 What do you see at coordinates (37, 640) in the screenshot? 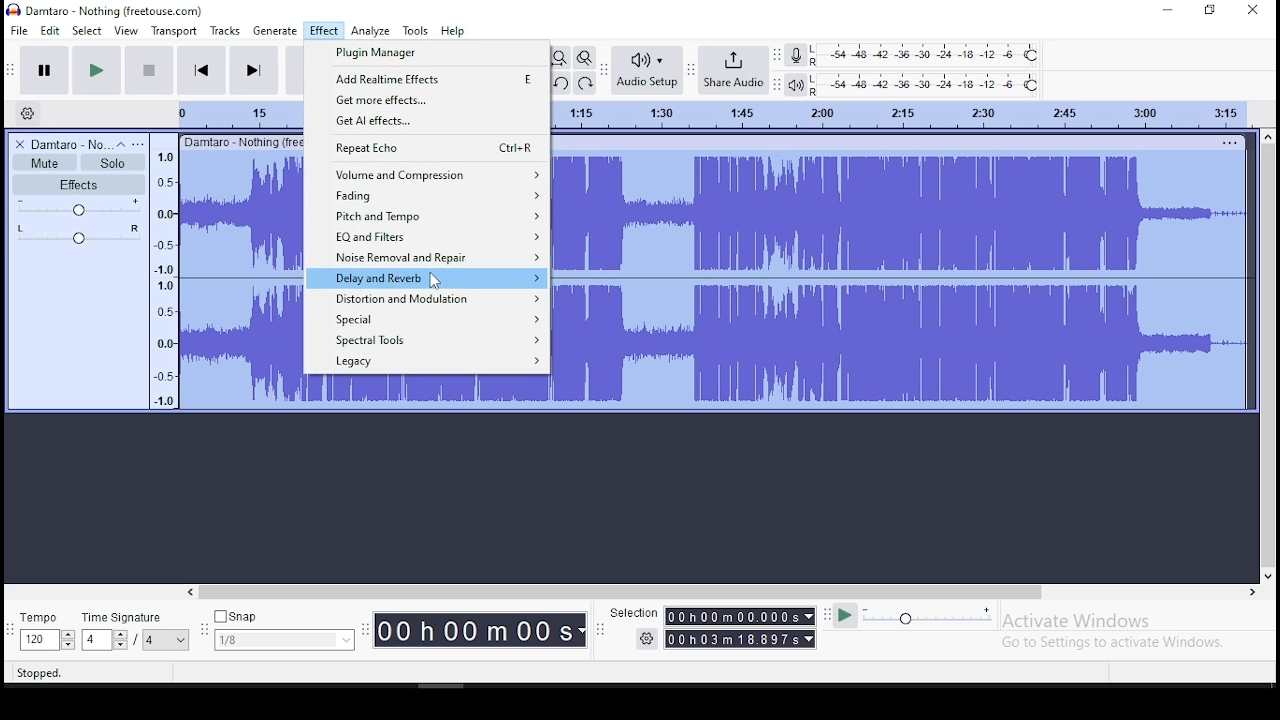
I see `120` at bounding box center [37, 640].